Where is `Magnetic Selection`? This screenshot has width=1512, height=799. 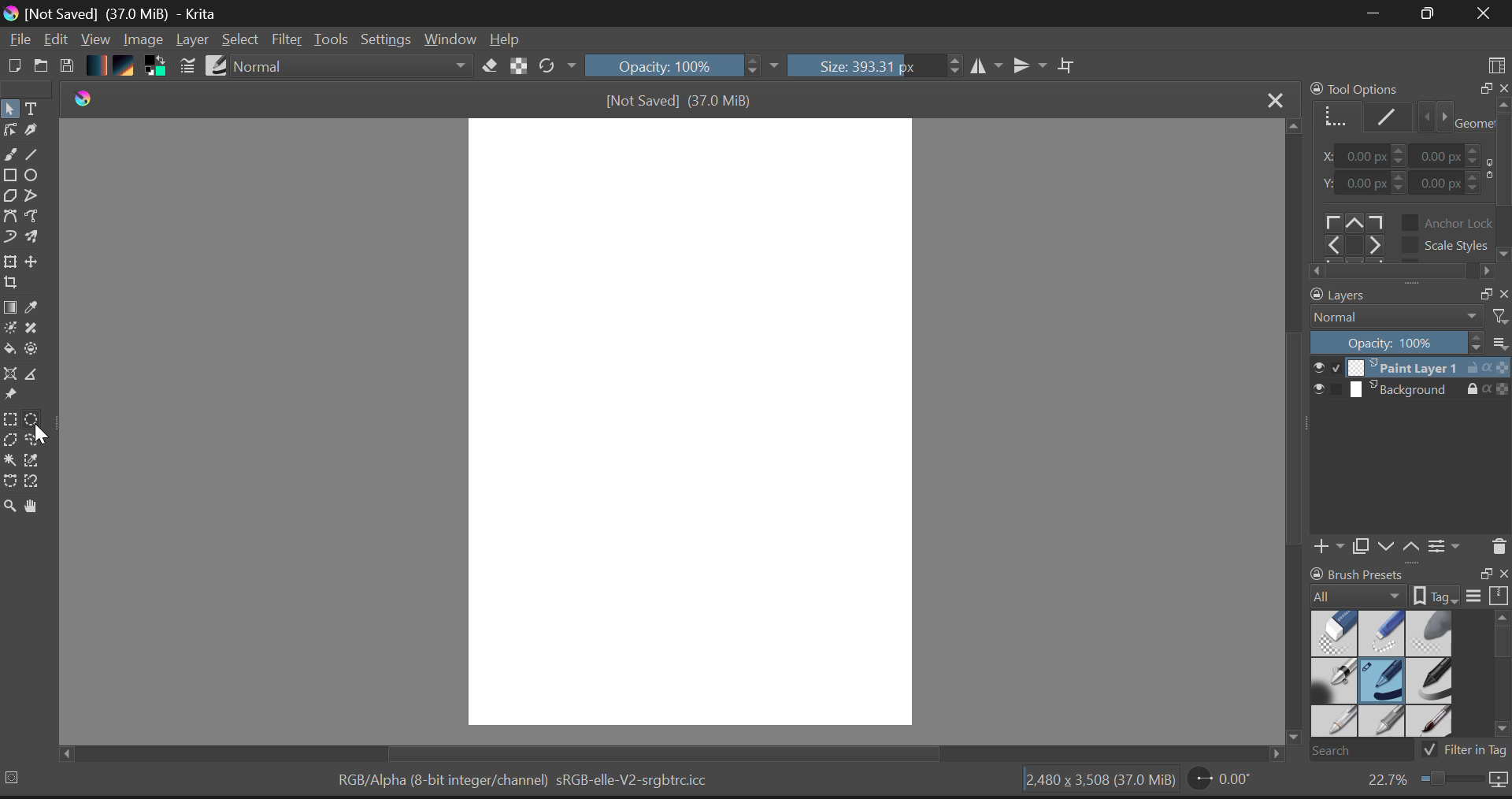
Magnetic Selection is located at coordinates (37, 483).